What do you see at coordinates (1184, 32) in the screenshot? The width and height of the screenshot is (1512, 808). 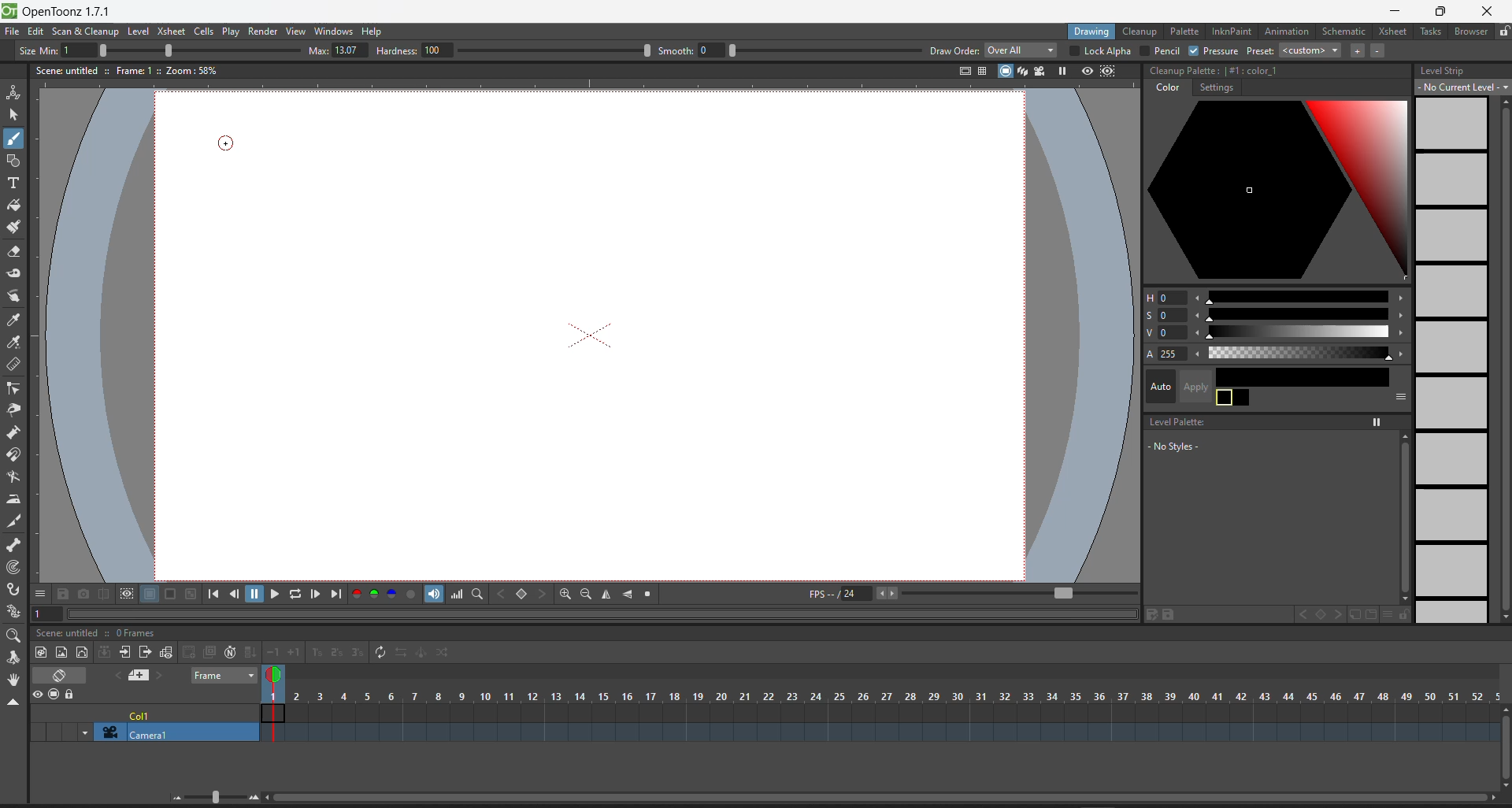 I see `palette` at bounding box center [1184, 32].